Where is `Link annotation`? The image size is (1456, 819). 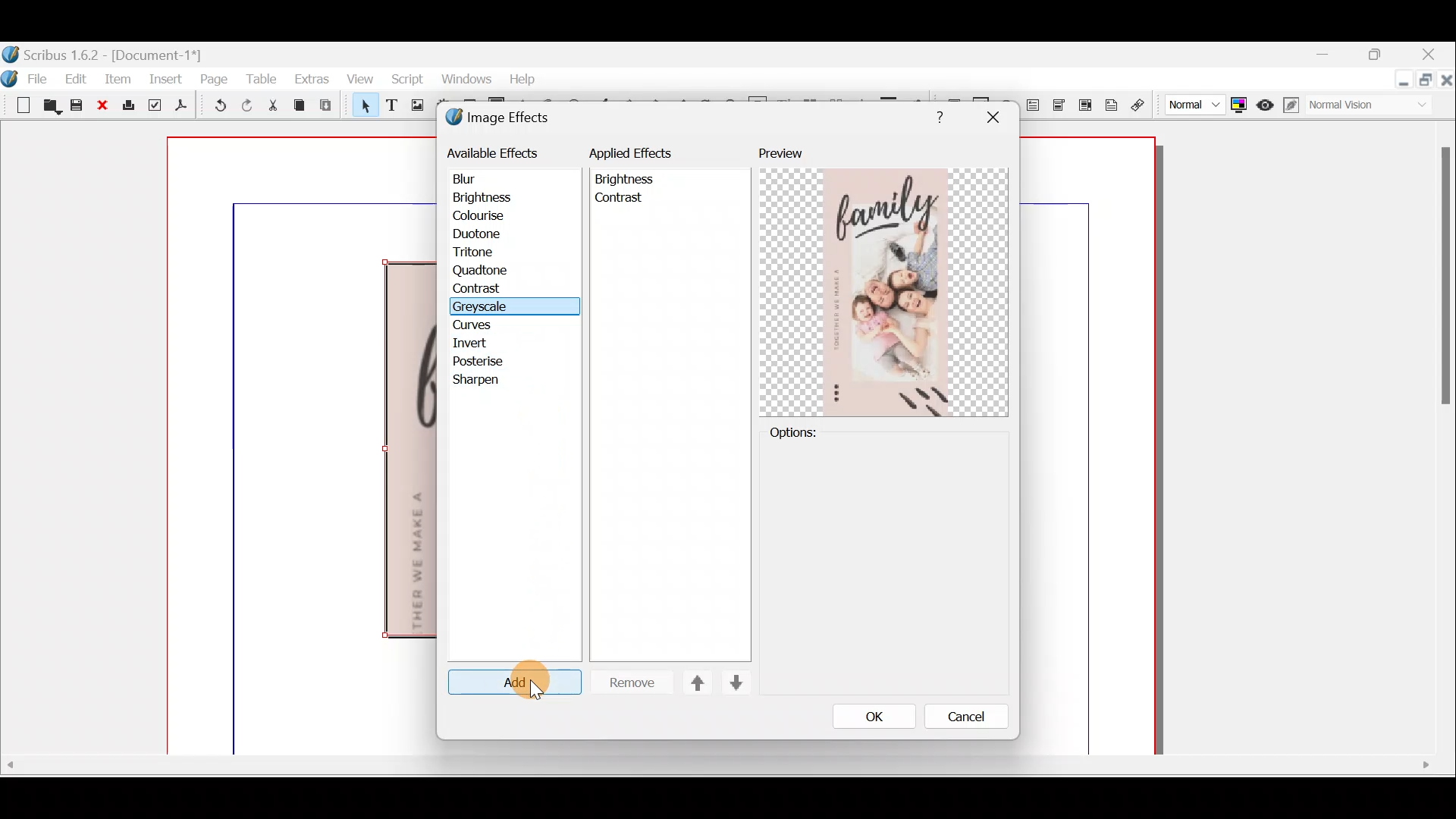 Link annotation is located at coordinates (1144, 106).